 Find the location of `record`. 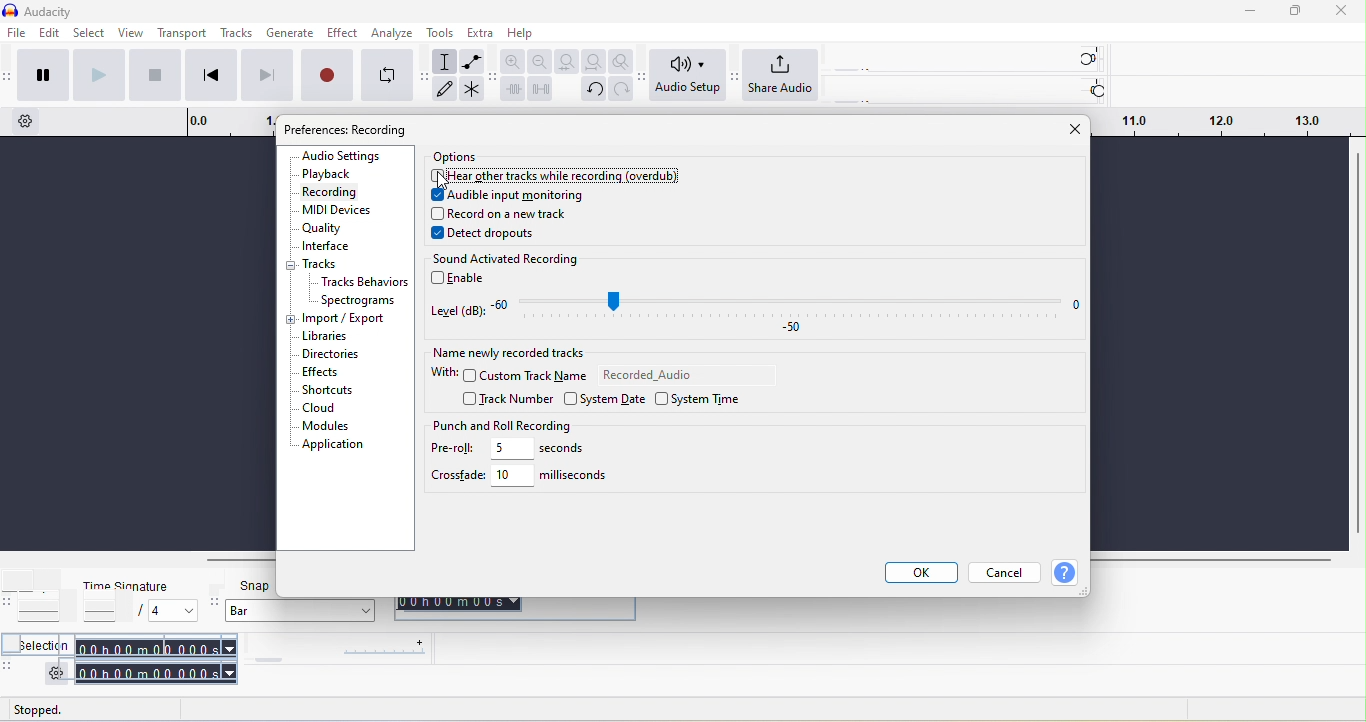

record is located at coordinates (327, 75).